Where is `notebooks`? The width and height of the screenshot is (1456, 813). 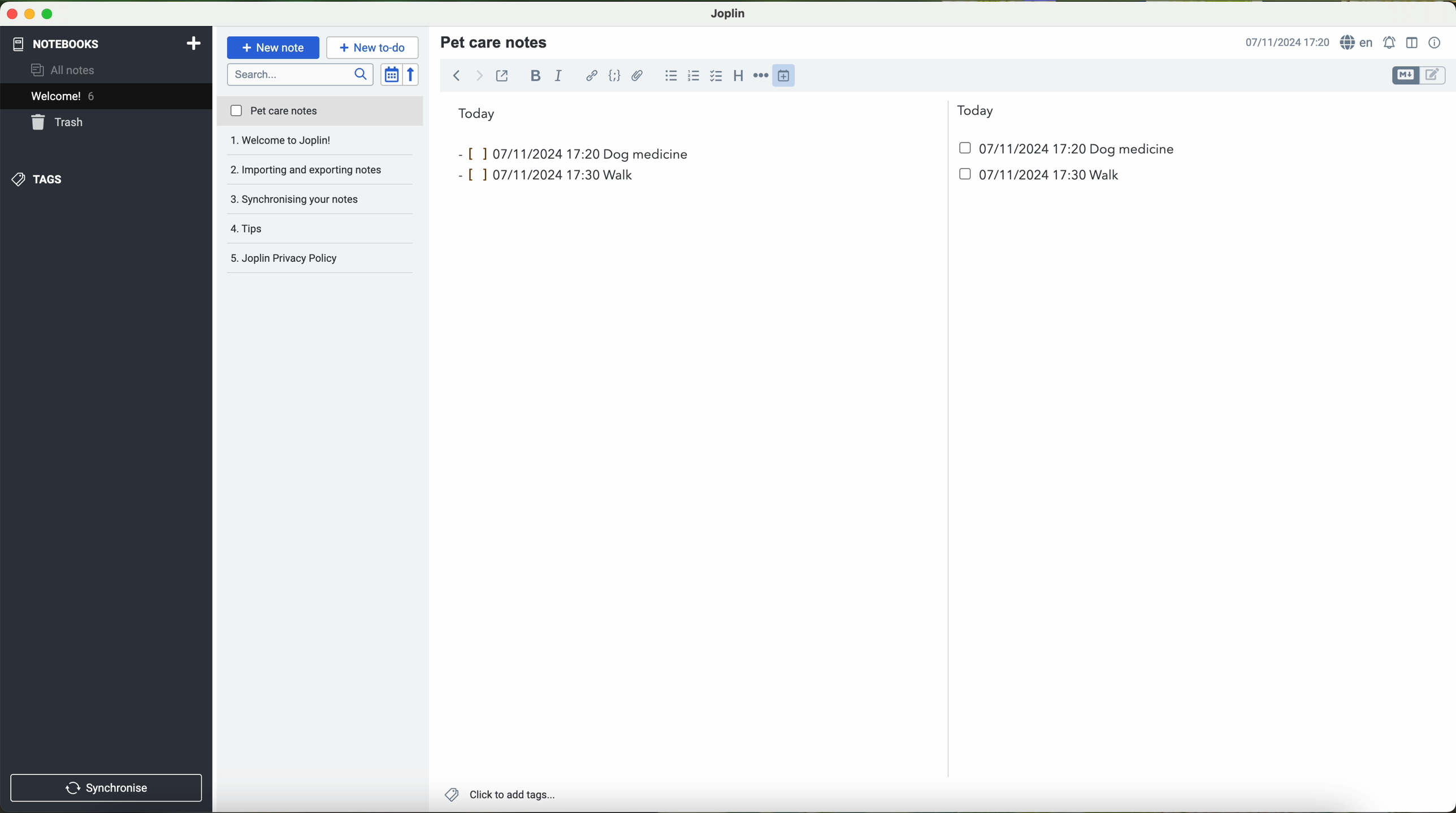 notebooks is located at coordinates (55, 42).